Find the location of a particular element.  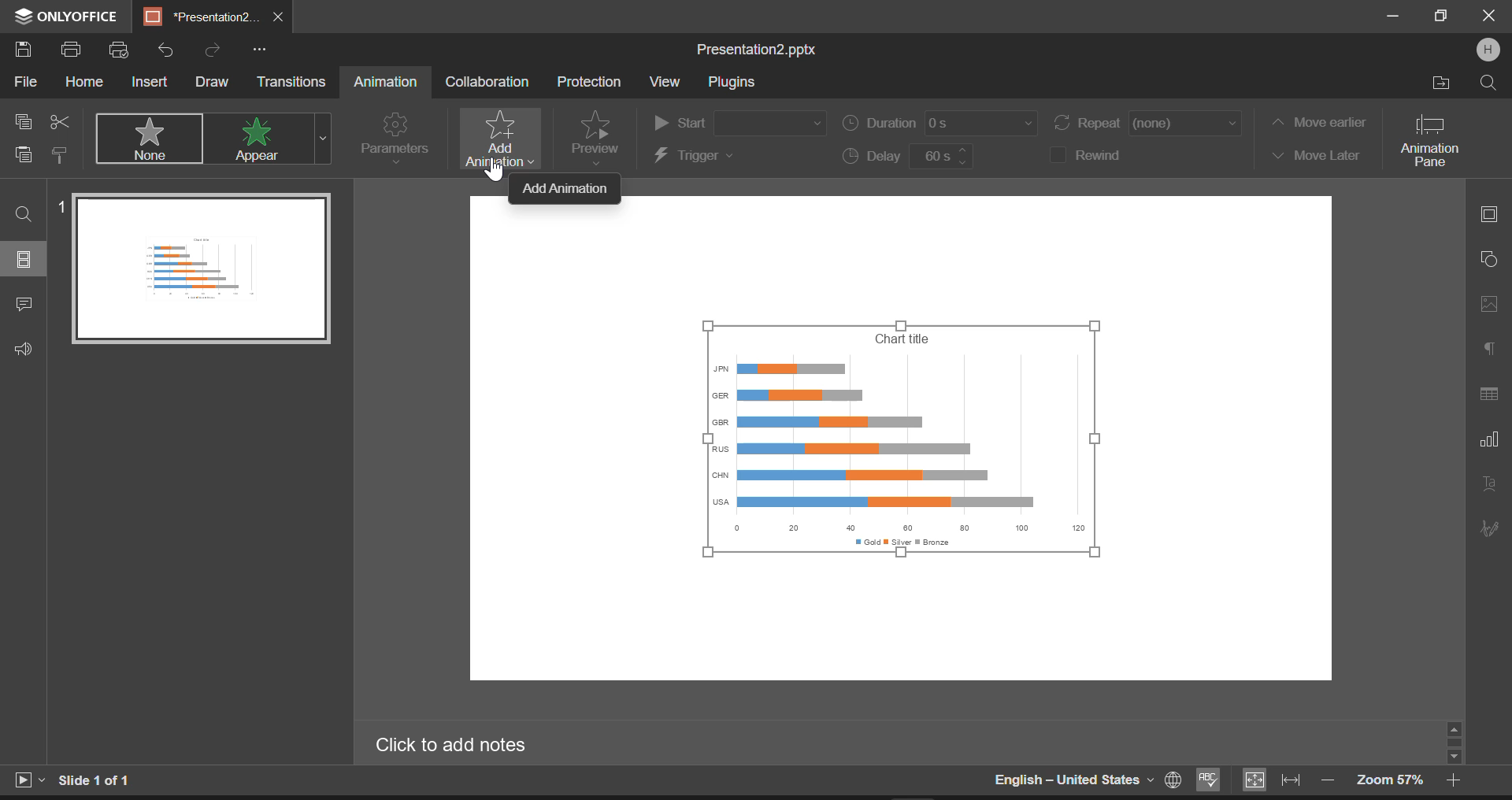

Slide Settings is located at coordinates (1487, 213).